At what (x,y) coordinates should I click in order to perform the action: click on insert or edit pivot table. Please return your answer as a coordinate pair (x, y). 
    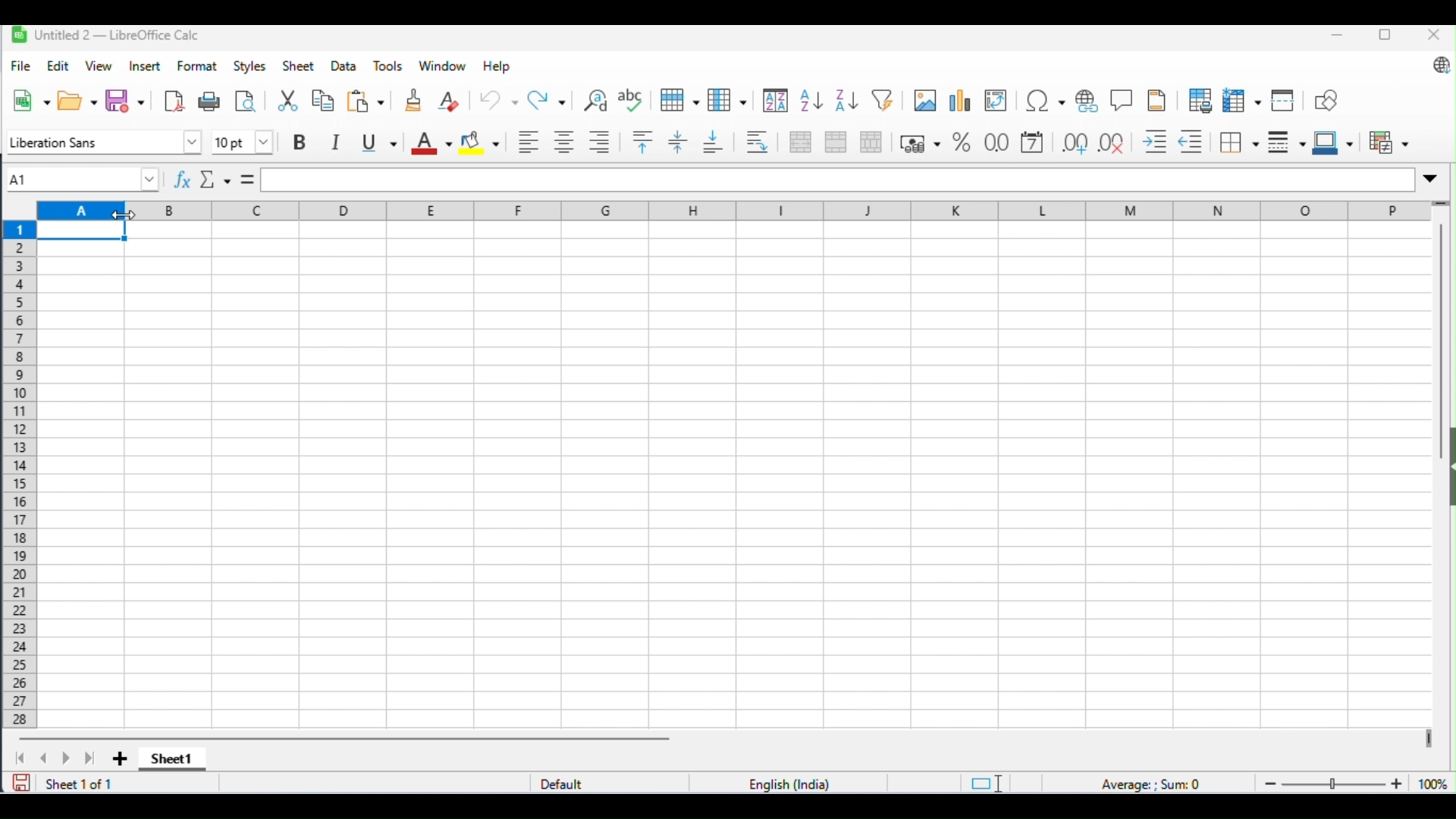
    Looking at the image, I should click on (996, 102).